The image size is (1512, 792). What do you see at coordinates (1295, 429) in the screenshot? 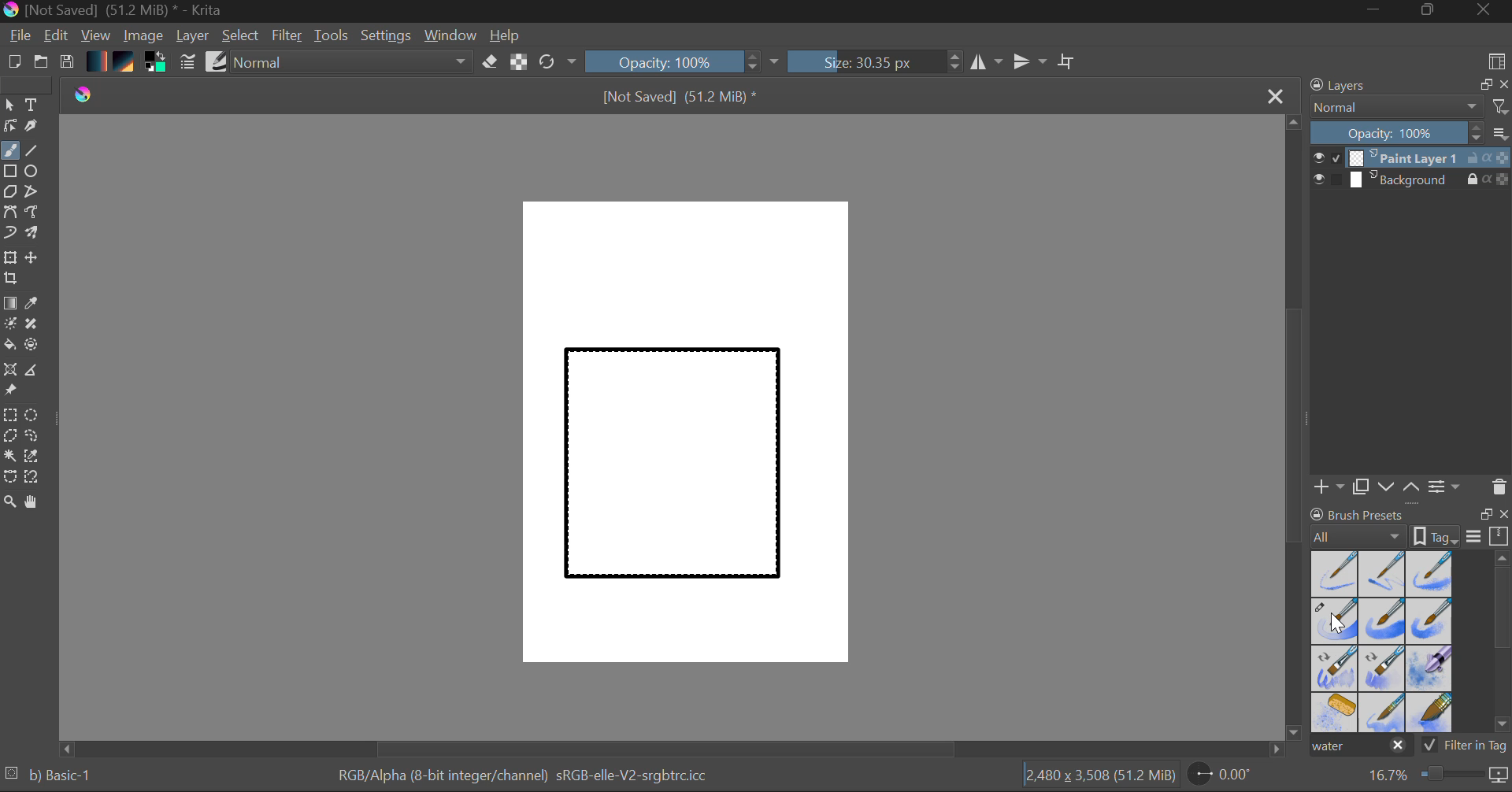
I see `Scroll Bar` at bounding box center [1295, 429].